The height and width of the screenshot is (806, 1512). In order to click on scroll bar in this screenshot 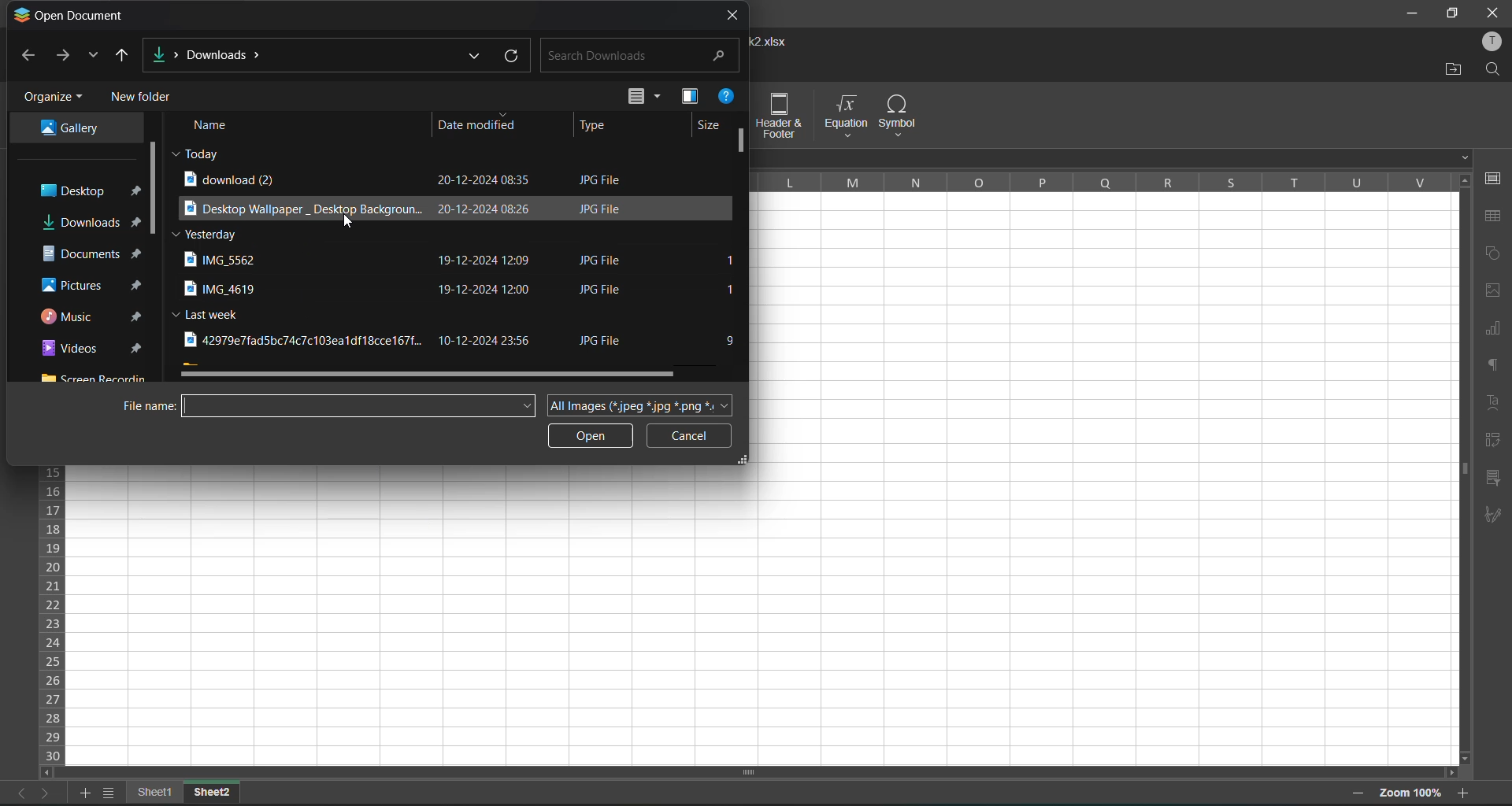, I will do `click(734, 774)`.